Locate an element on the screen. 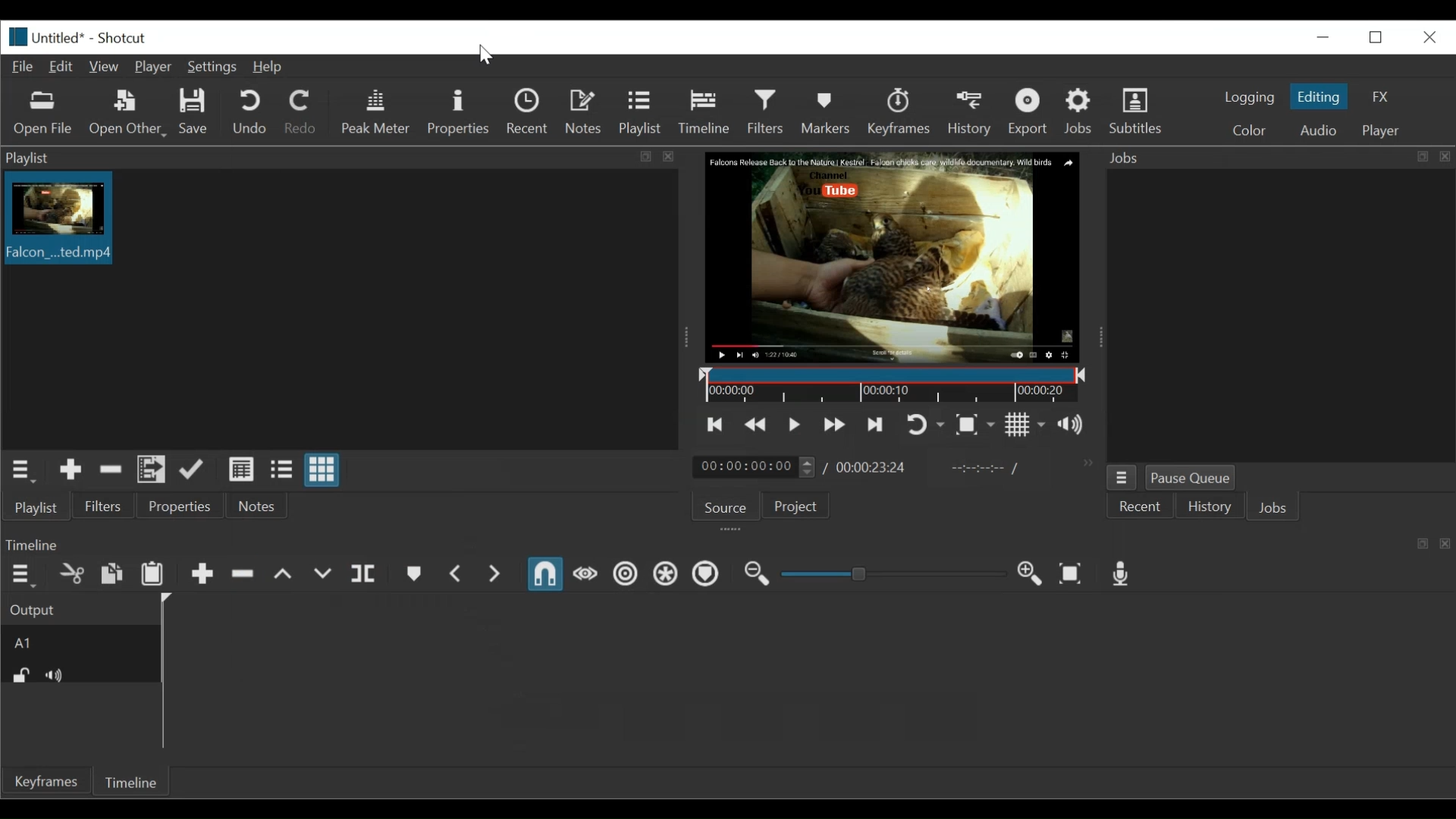  Jobs menu is located at coordinates (1122, 477).